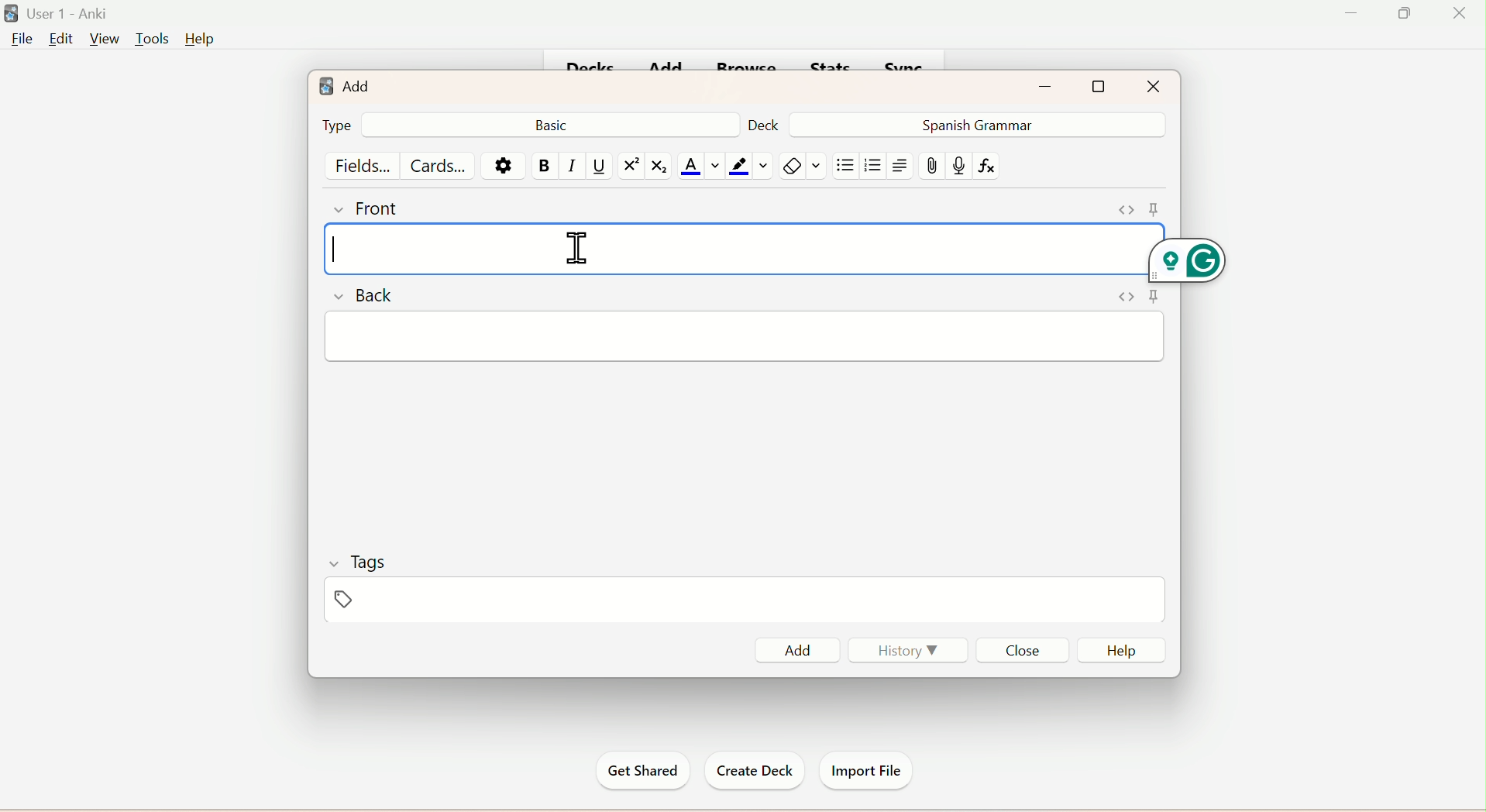 This screenshot has width=1486, height=812. Describe the element at coordinates (148, 40) in the screenshot. I see `Tools` at that location.